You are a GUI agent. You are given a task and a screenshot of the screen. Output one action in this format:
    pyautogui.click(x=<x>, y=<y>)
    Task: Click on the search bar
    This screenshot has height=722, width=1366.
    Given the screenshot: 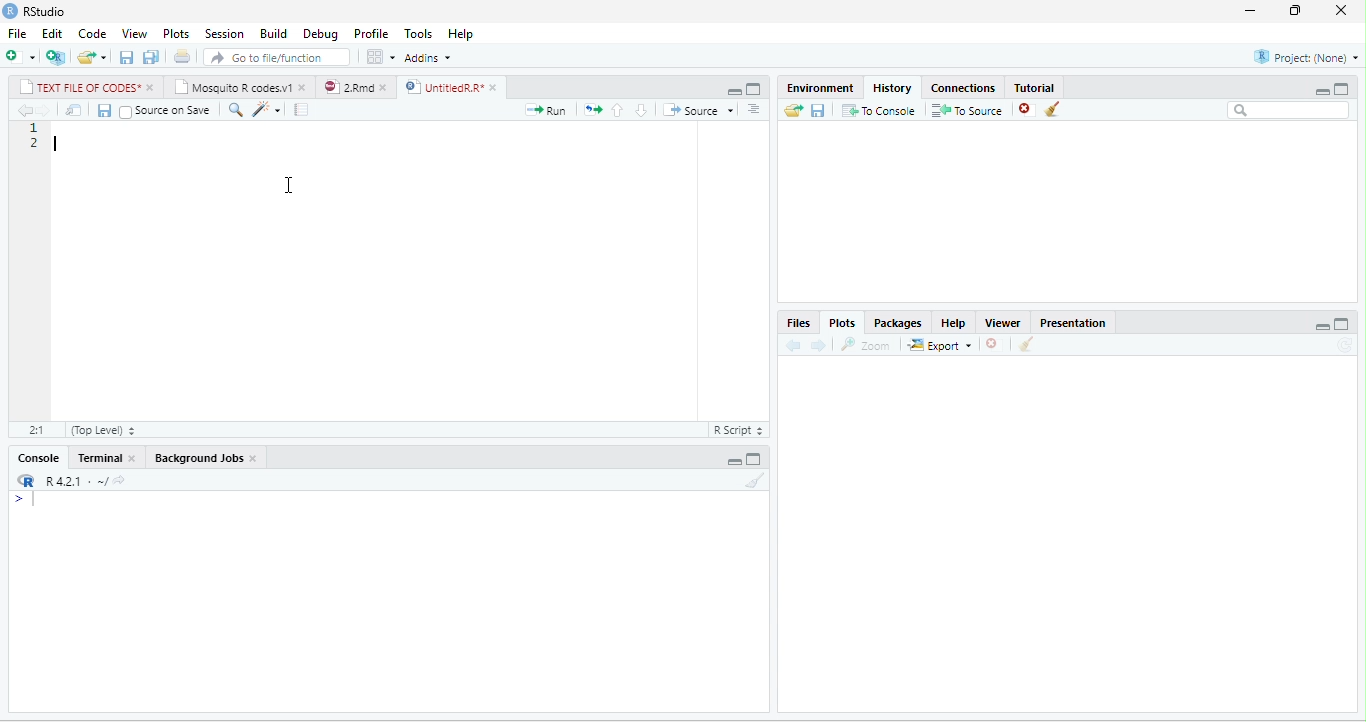 What is the action you would take?
    pyautogui.click(x=1288, y=110)
    